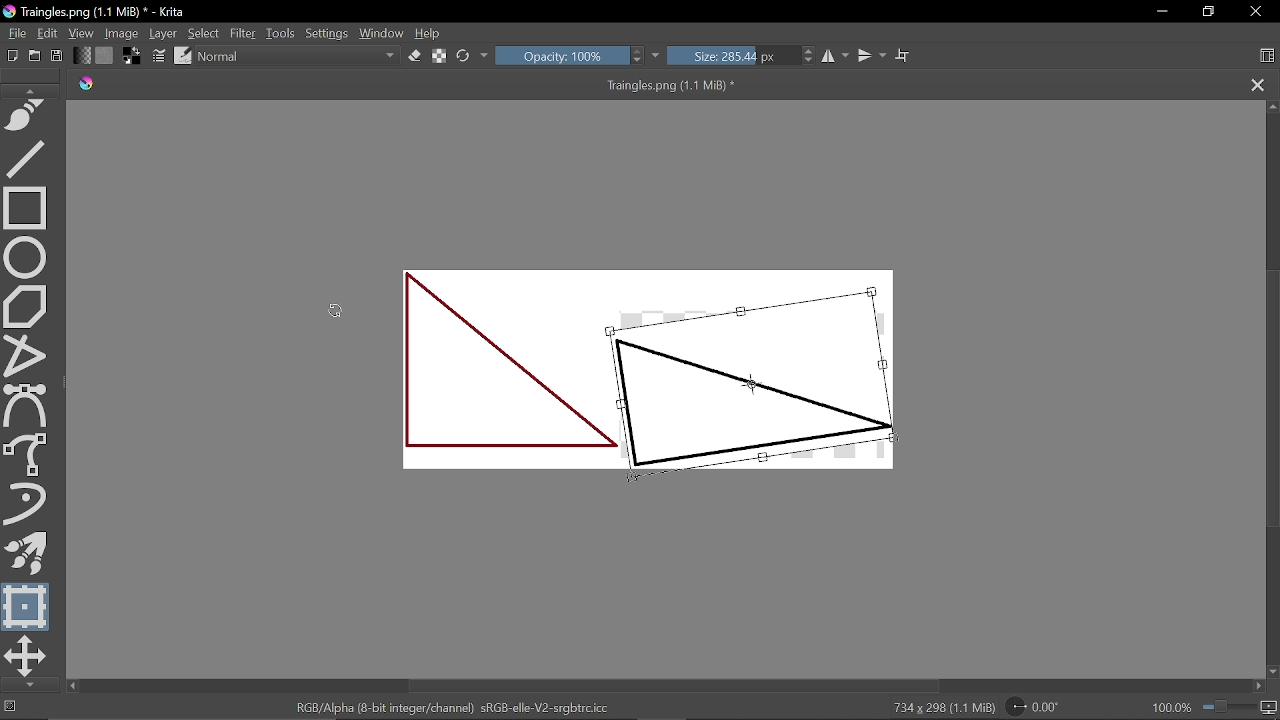  What do you see at coordinates (83, 34) in the screenshot?
I see `View` at bounding box center [83, 34].